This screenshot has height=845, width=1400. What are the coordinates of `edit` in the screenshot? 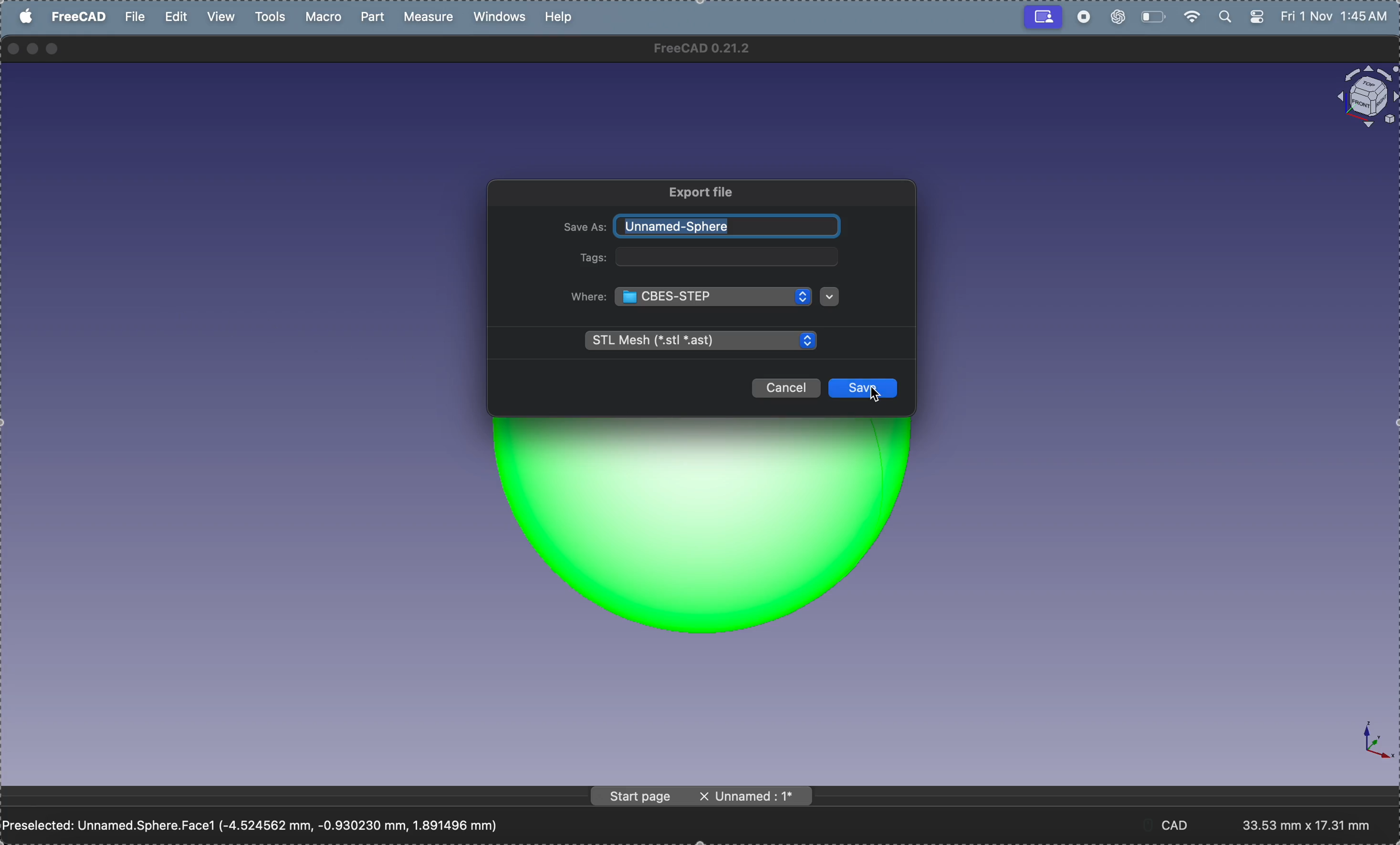 It's located at (177, 16).